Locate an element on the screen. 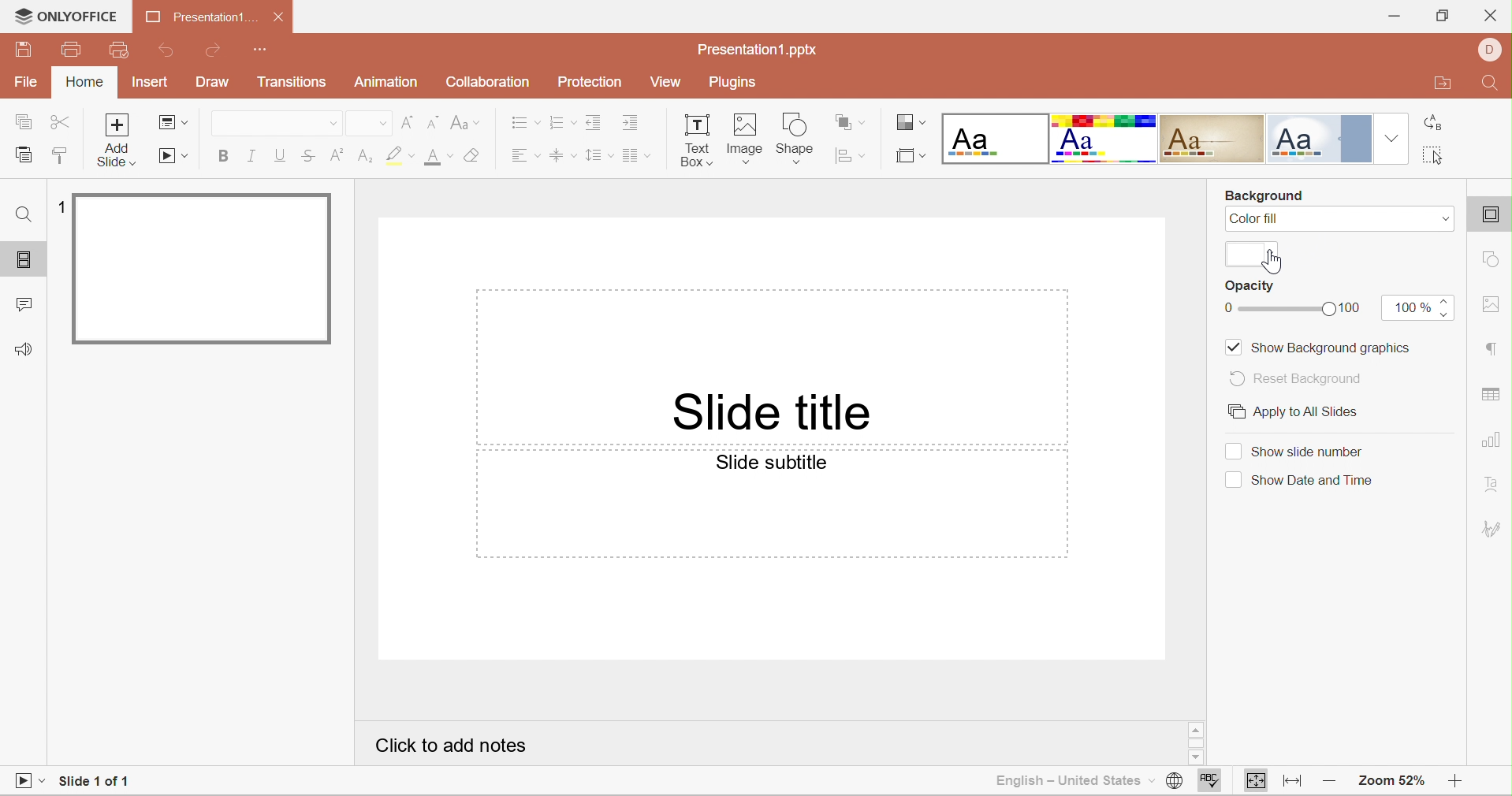 The image size is (1512, 796). Drop Dwon is located at coordinates (1441, 218).